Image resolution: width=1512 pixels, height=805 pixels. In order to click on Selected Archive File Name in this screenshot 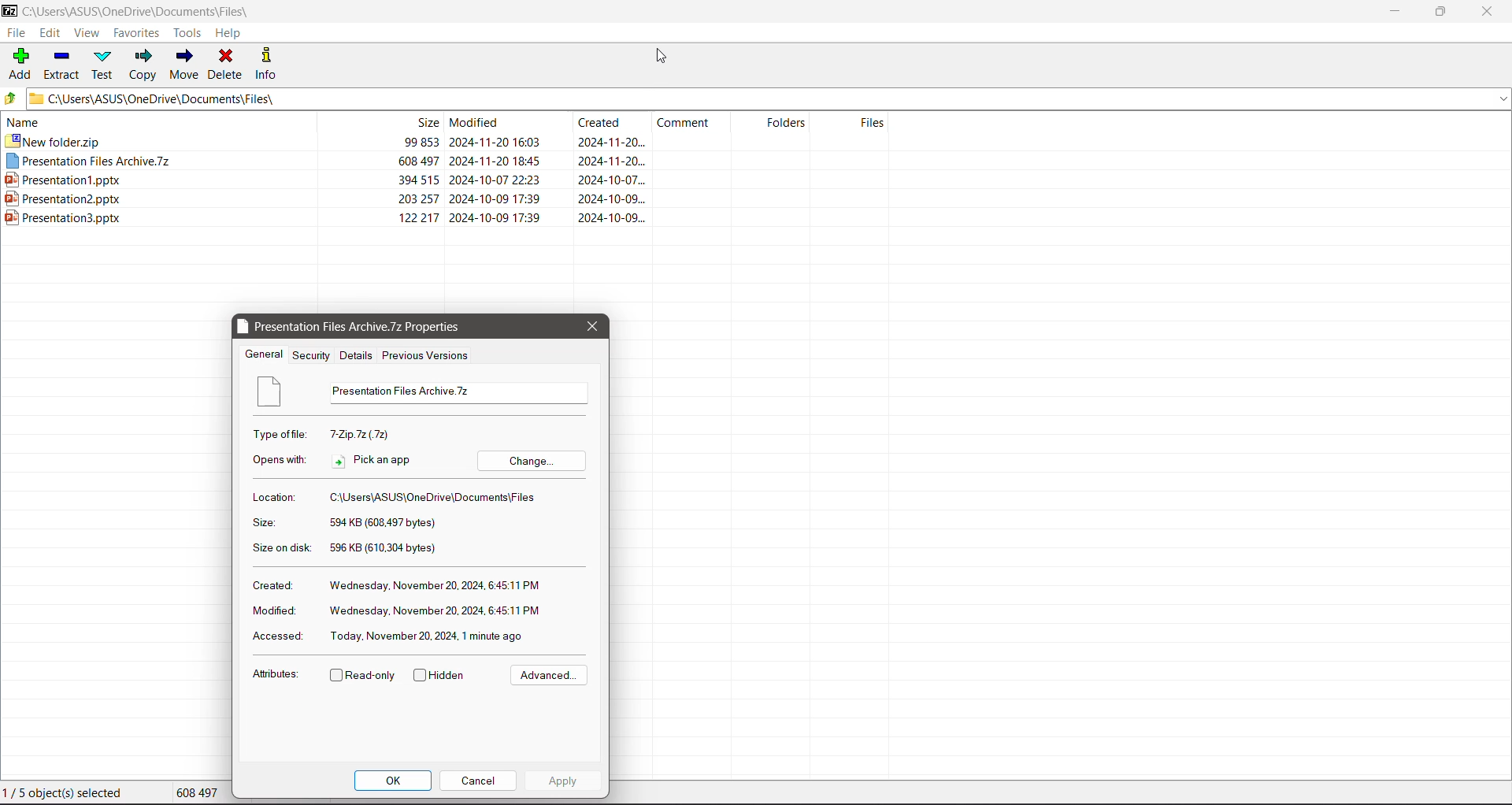, I will do `click(459, 393)`.